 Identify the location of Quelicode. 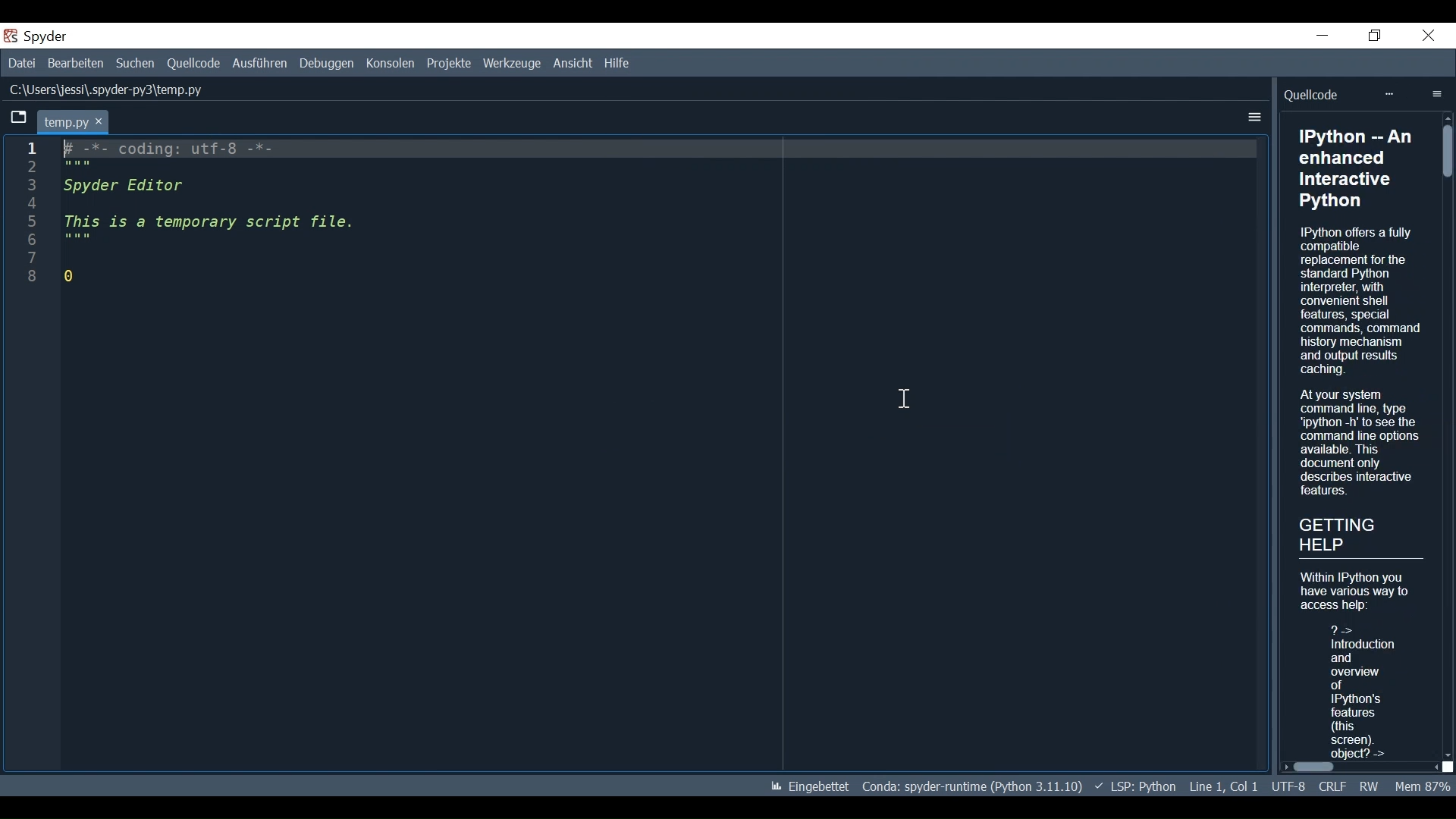
(1313, 95).